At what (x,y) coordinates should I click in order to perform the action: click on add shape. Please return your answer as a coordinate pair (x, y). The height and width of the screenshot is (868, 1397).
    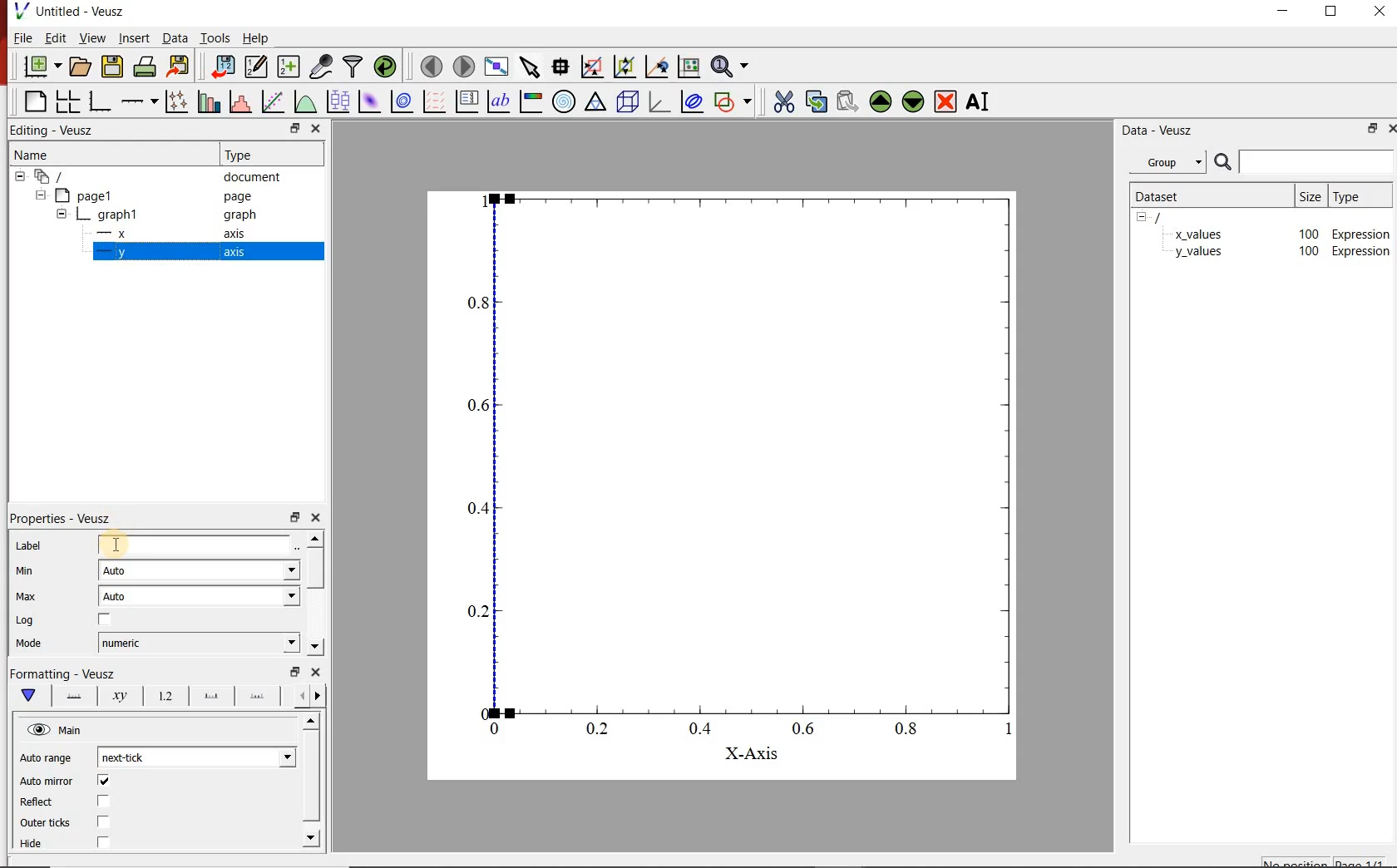
    Looking at the image, I should click on (733, 102).